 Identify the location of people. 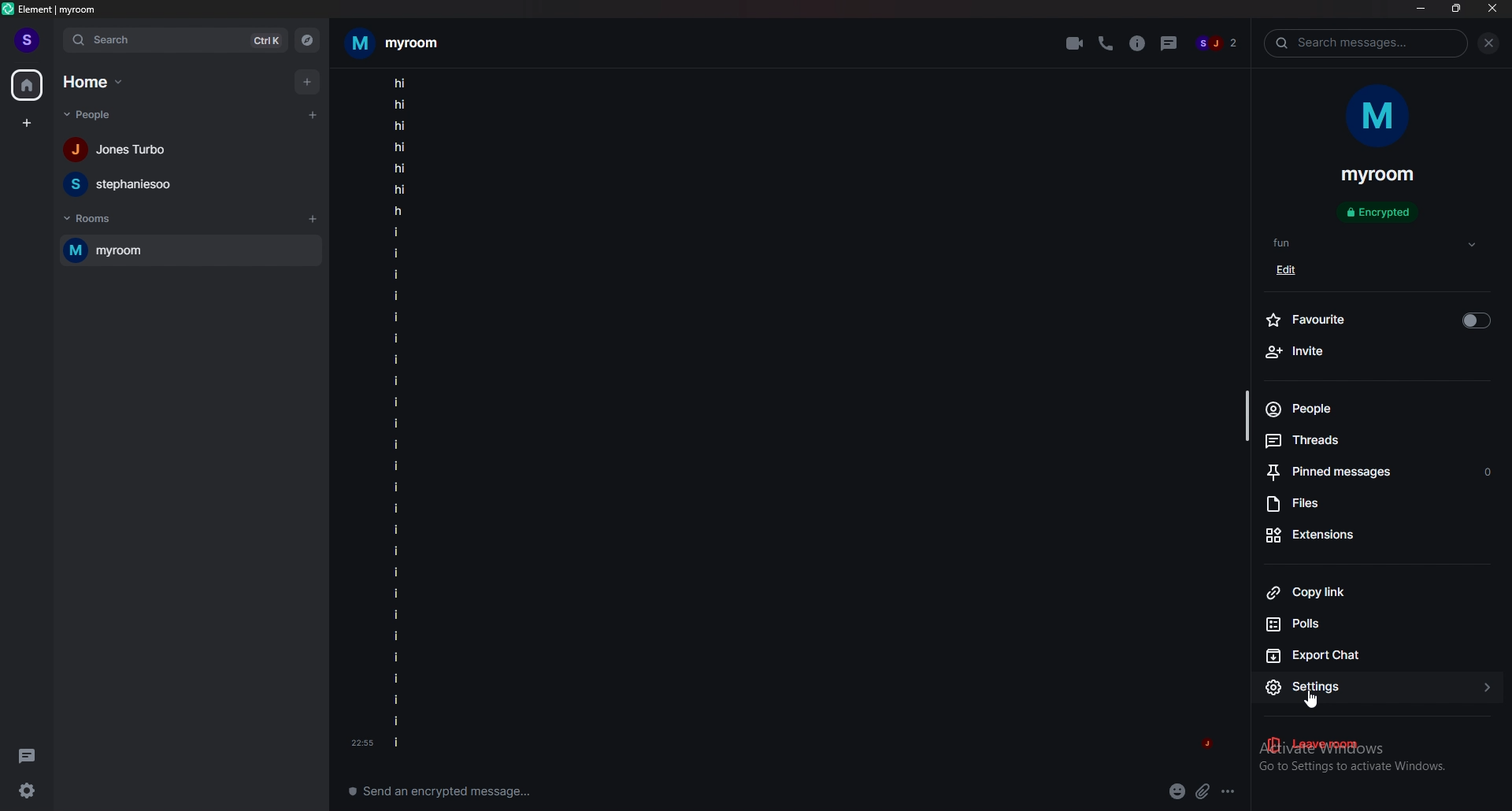
(1367, 409).